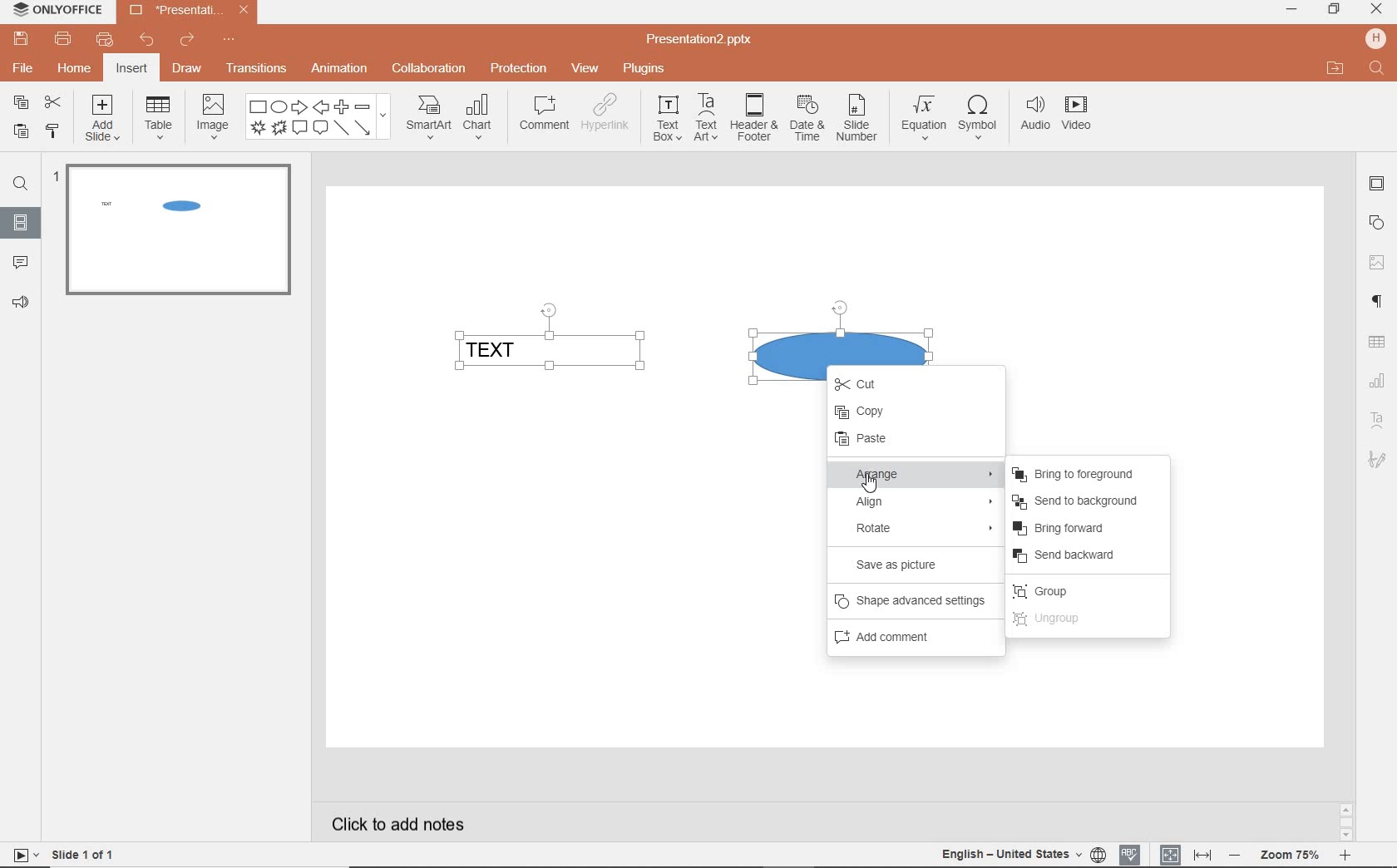  What do you see at coordinates (1187, 853) in the screenshot?
I see `FIT TO SLIDE / FIT TO WIDTH` at bounding box center [1187, 853].